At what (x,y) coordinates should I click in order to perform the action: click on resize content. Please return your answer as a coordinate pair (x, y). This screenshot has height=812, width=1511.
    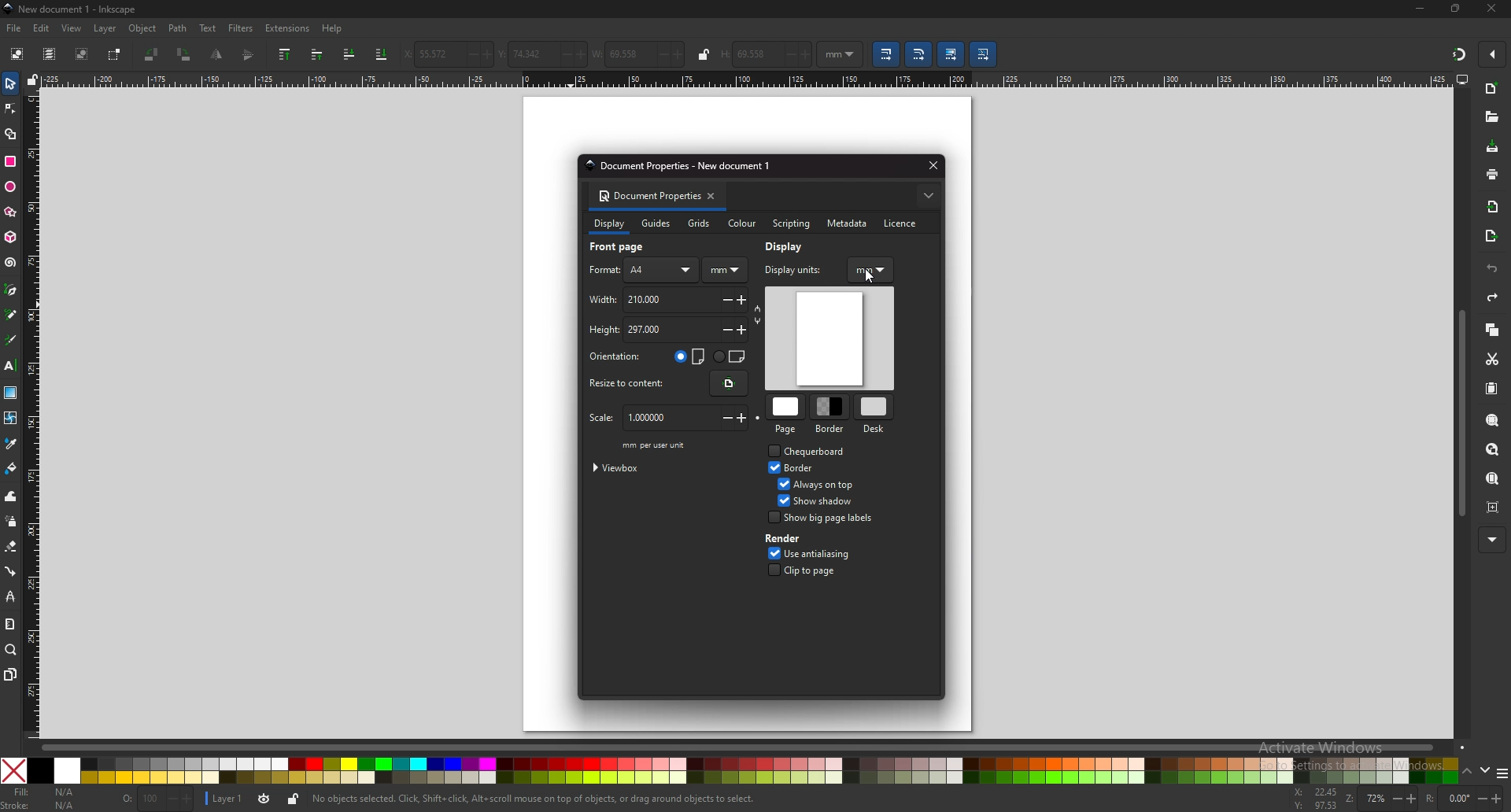
    Looking at the image, I should click on (729, 384).